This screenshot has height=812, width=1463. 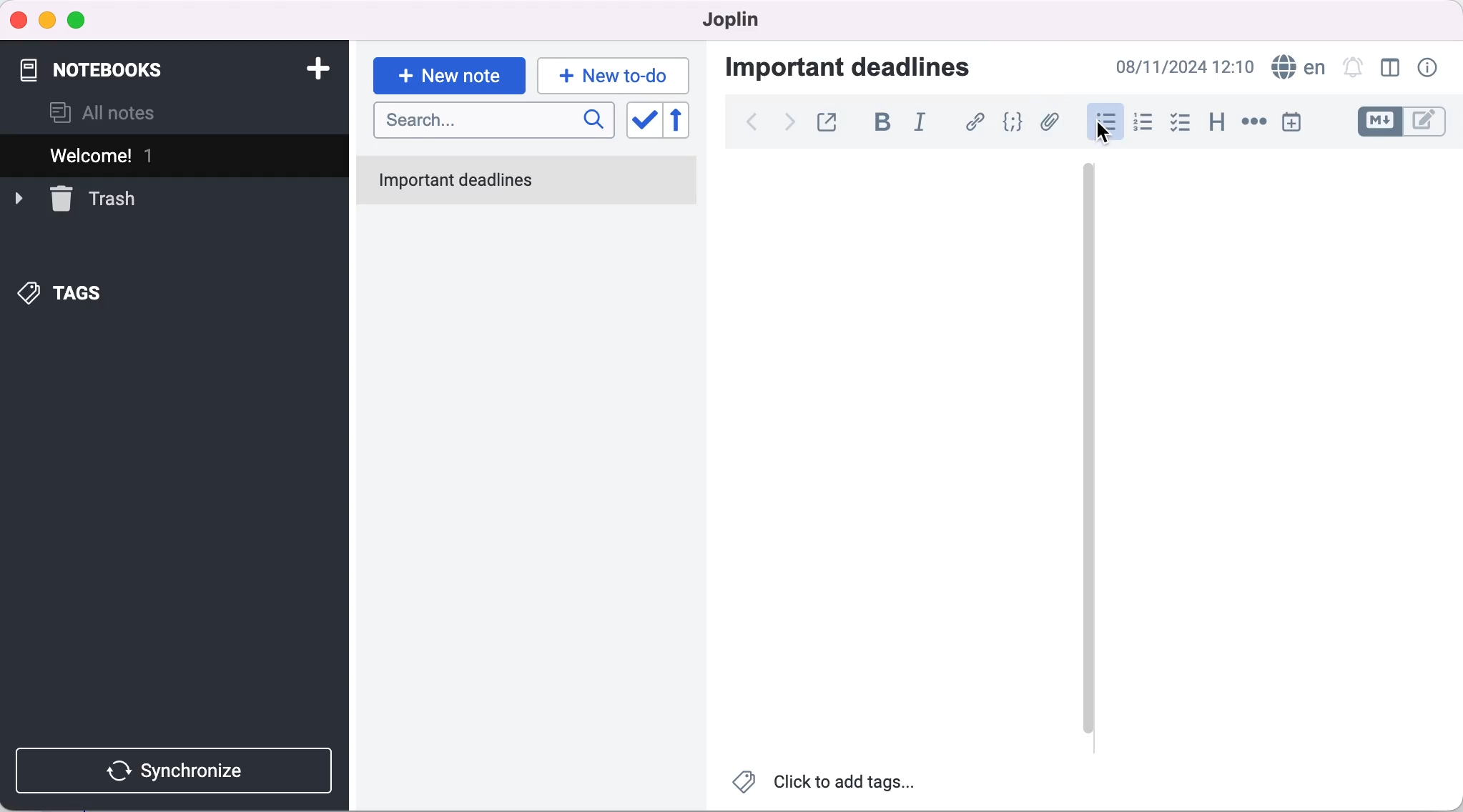 What do you see at coordinates (152, 156) in the screenshot?
I see `welcome 1` at bounding box center [152, 156].